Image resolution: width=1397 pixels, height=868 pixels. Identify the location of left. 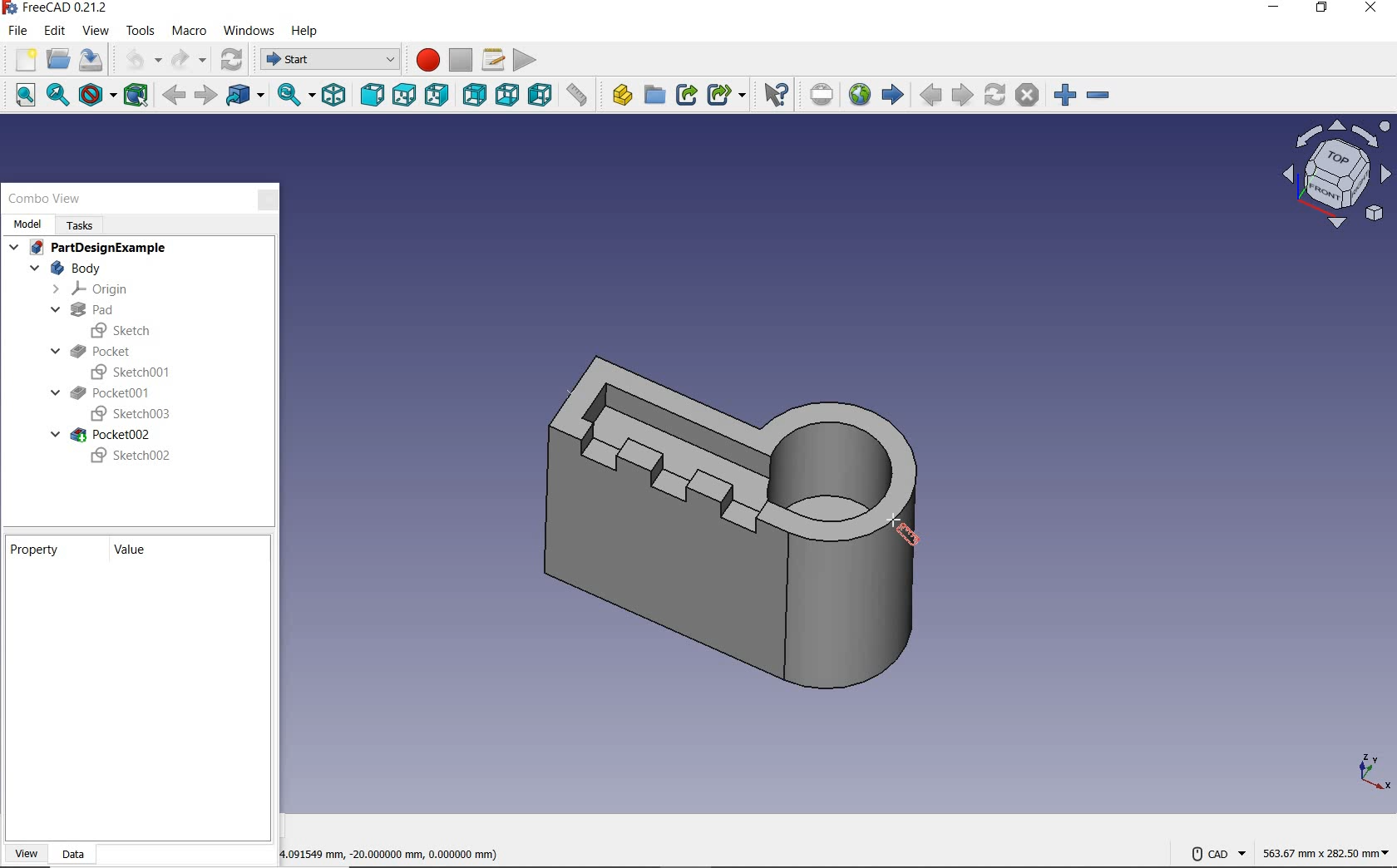
(539, 96).